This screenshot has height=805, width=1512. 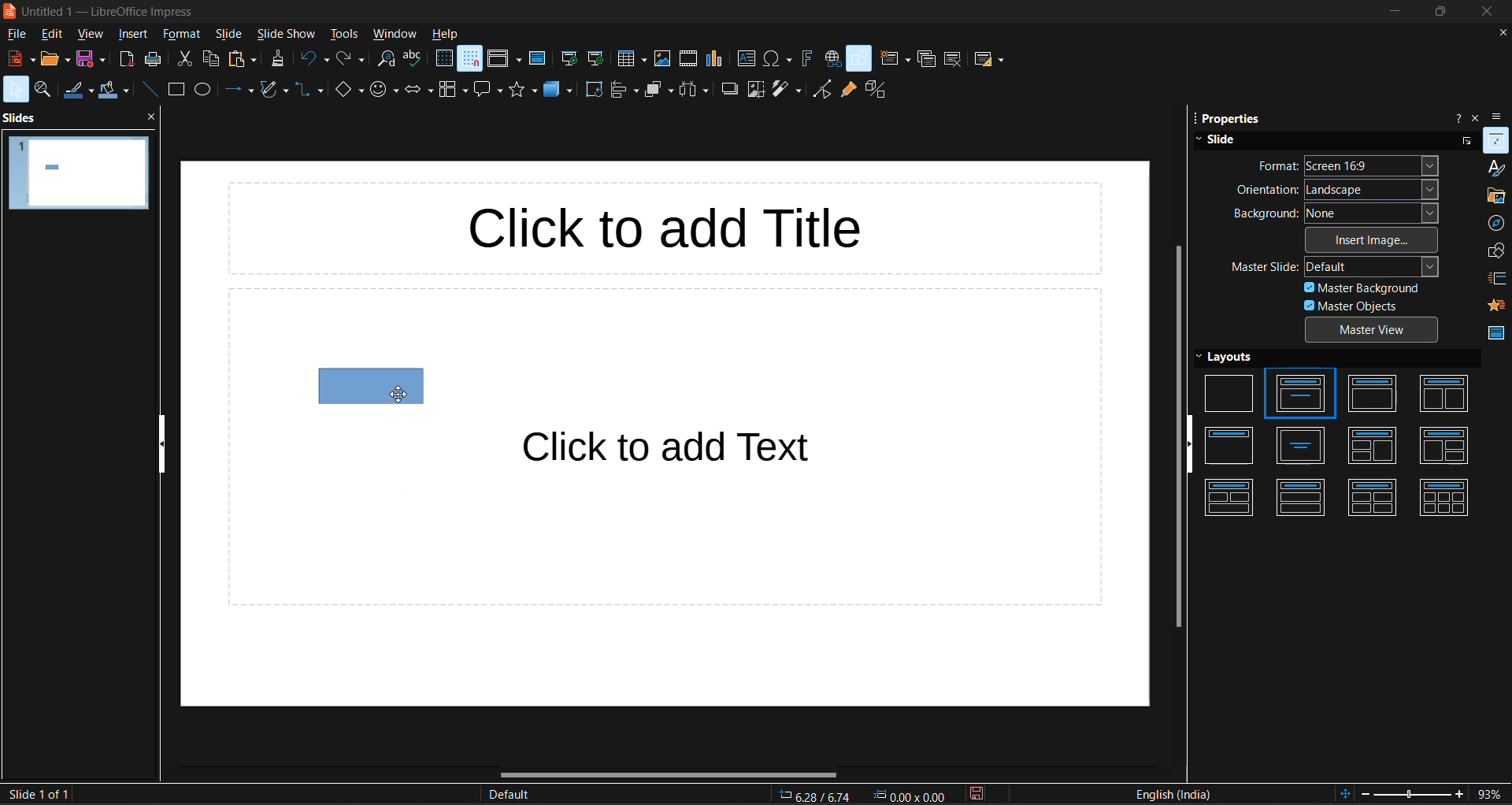 What do you see at coordinates (417, 91) in the screenshot?
I see `block arrows` at bounding box center [417, 91].